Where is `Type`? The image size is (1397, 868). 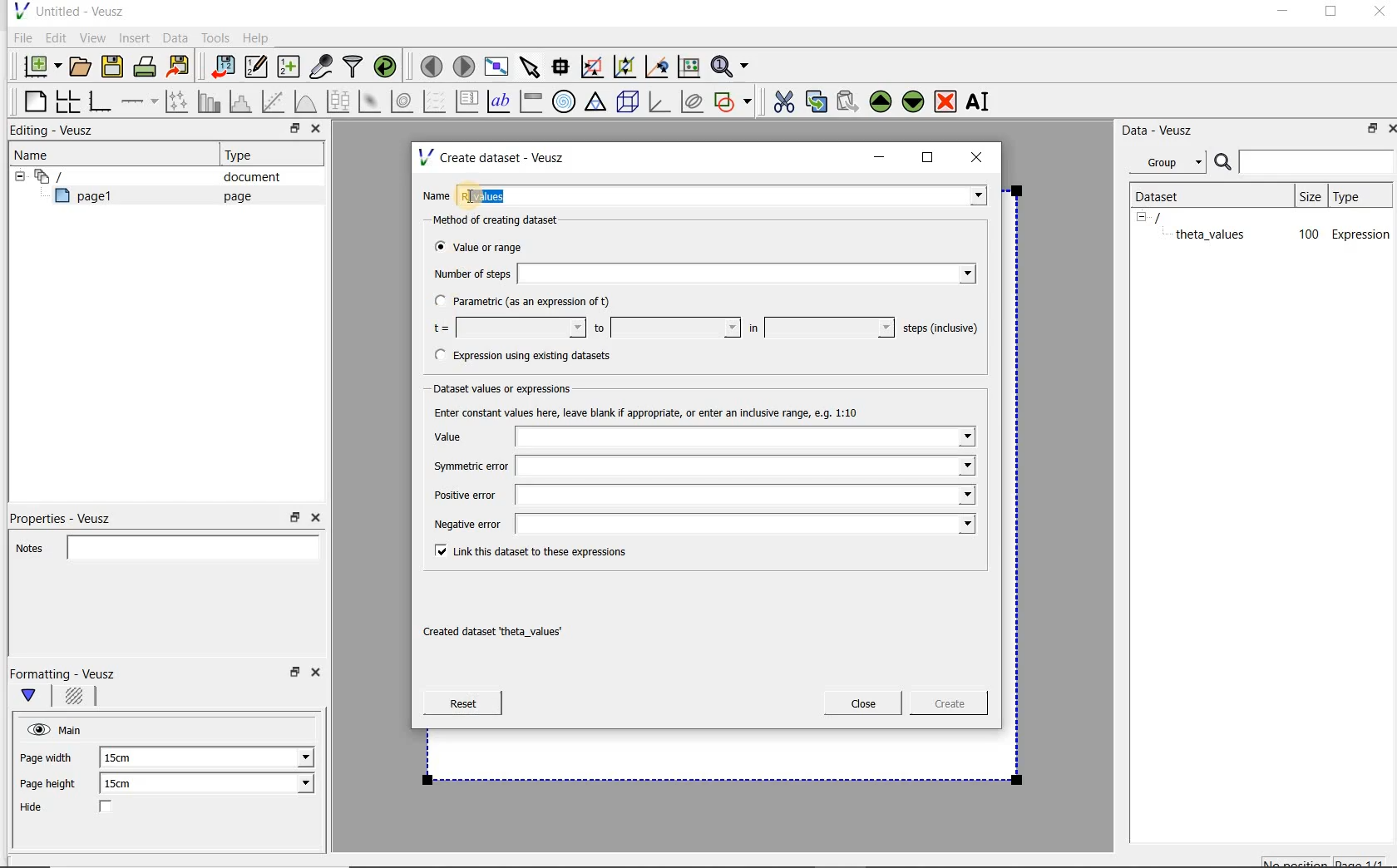 Type is located at coordinates (1358, 195).